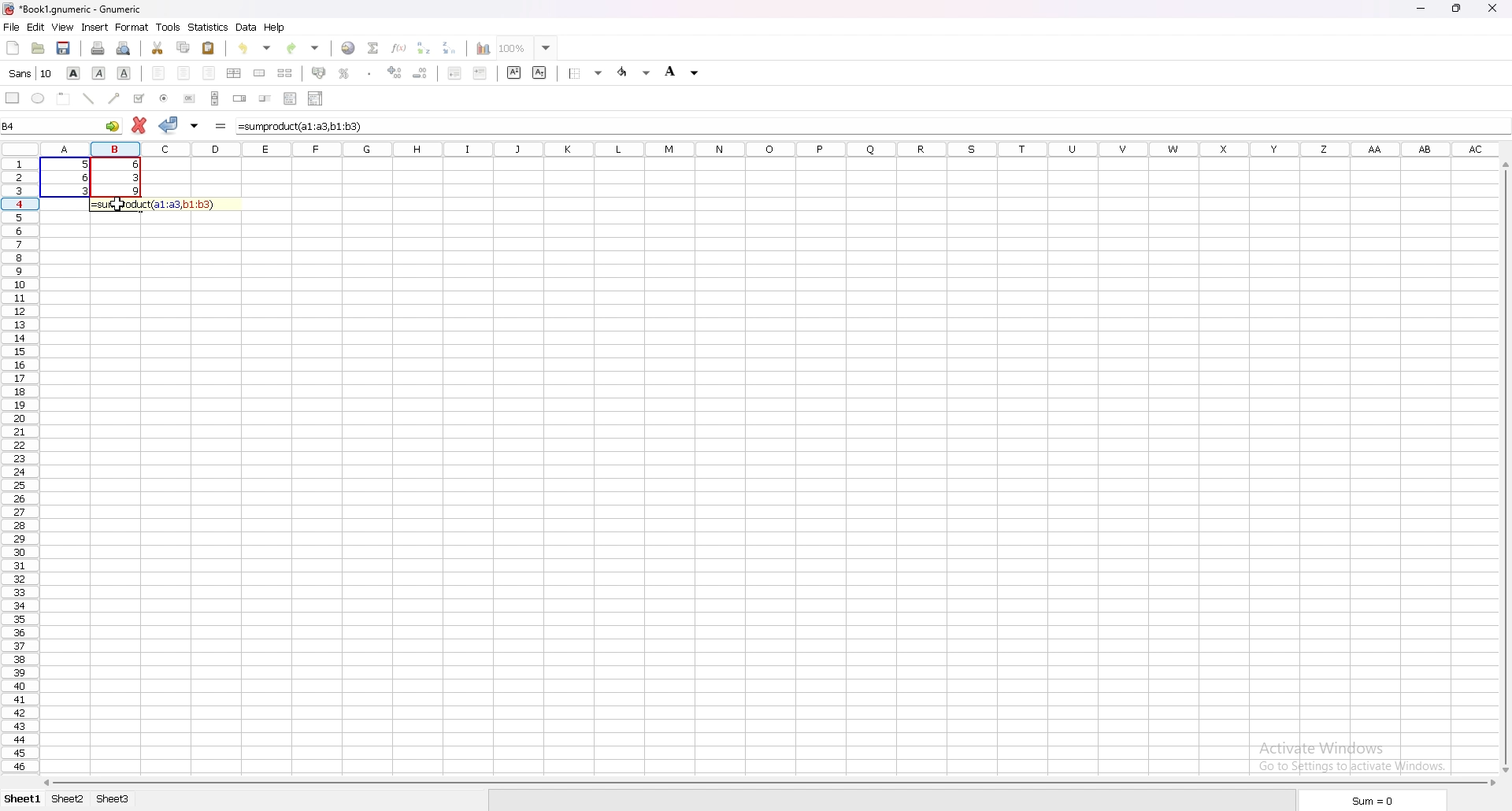 This screenshot has height=811, width=1512. I want to click on formula, so click(162, 204).